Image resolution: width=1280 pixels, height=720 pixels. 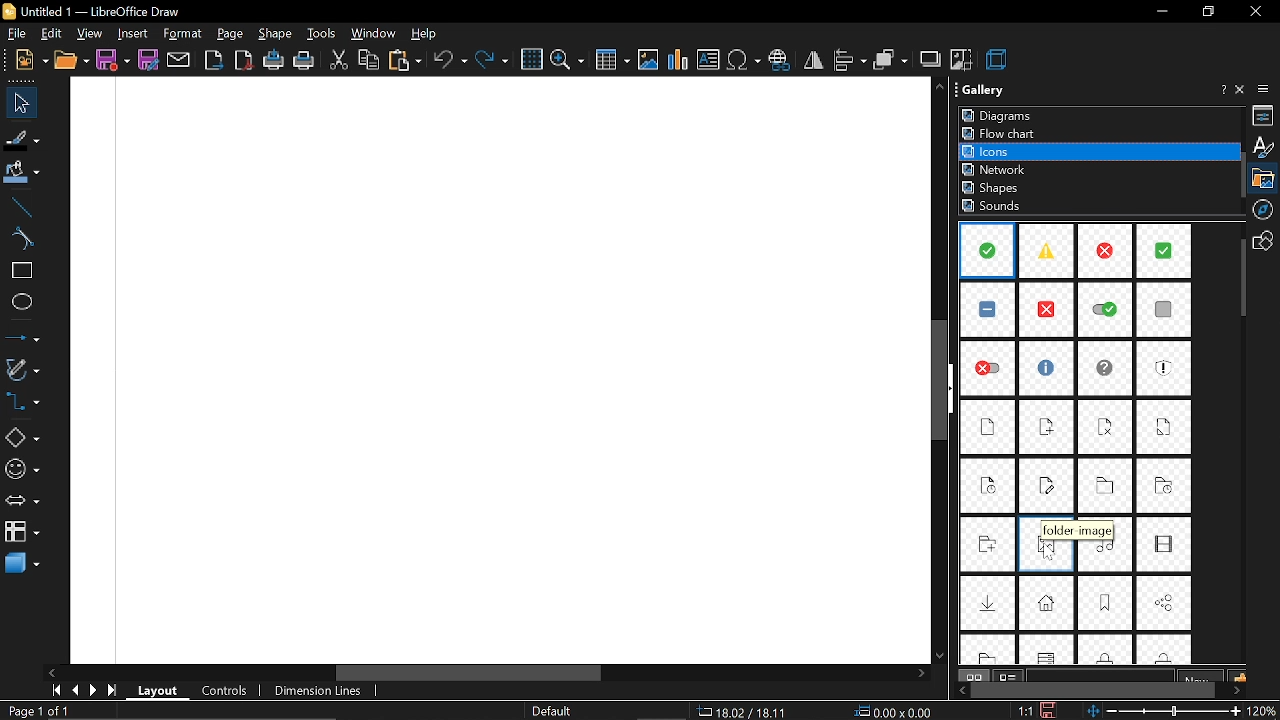 What do you see at coordinates (74, 690) in the screenshot?
I see `previous page` at bounding box center [74, 690].